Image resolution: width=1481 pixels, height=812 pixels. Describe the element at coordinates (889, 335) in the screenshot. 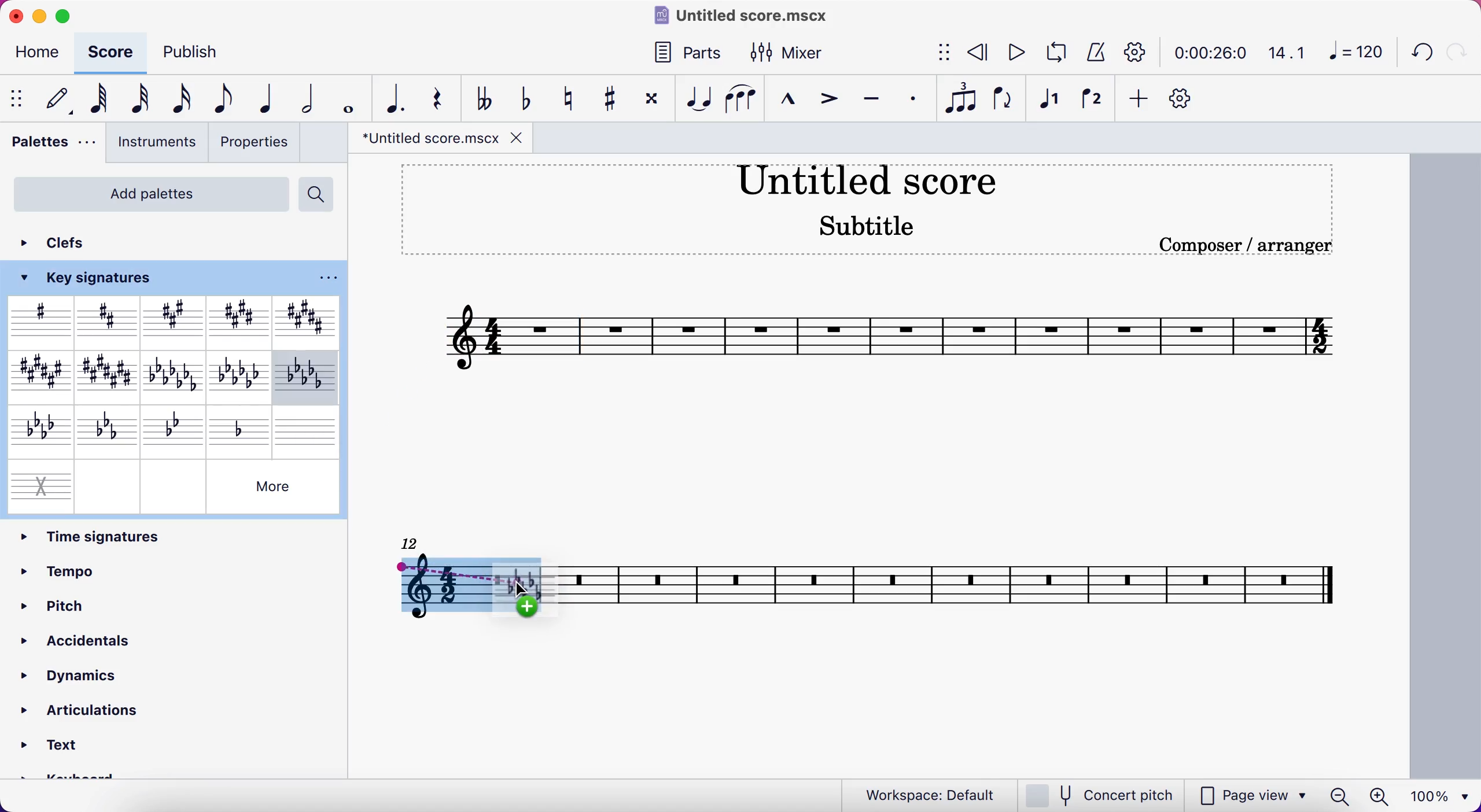

I see `score` at that location.